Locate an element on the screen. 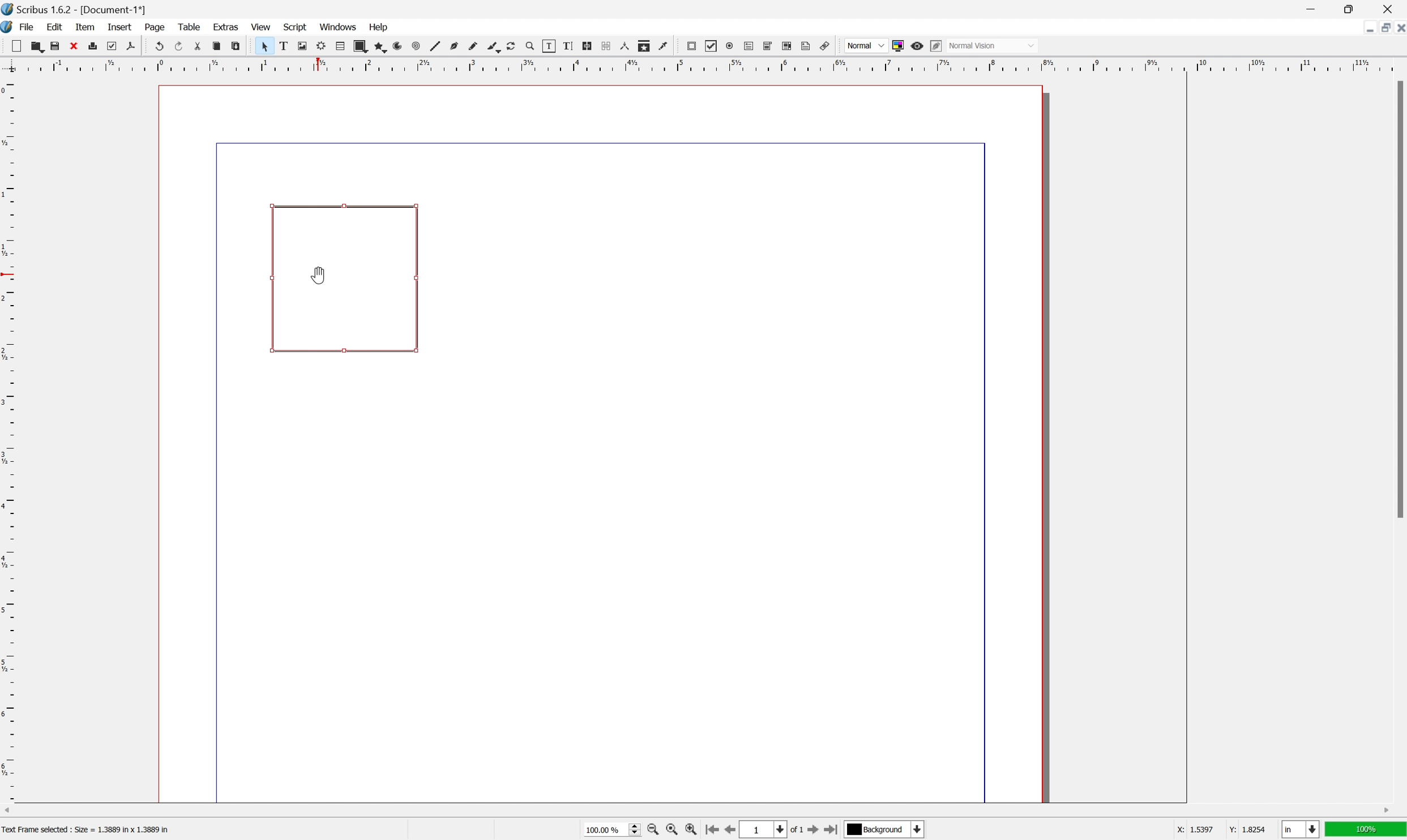  scribus 1.6.2 - [document-1*] is located at coordinates (74, 8).